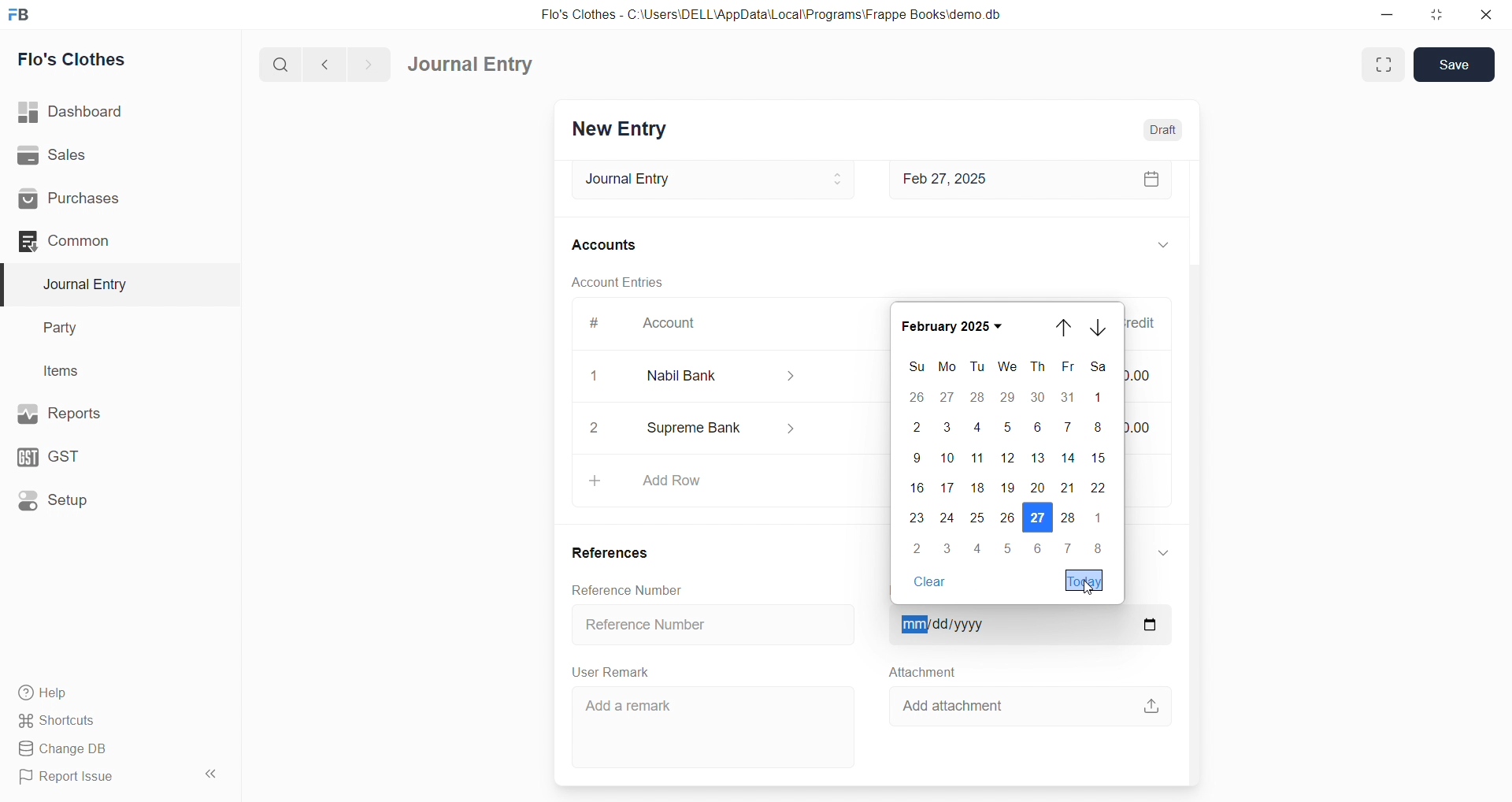  What do you see at coordinates (930, 581) in the screenshot?
I see `Clear` at bounding box center [930, 581].